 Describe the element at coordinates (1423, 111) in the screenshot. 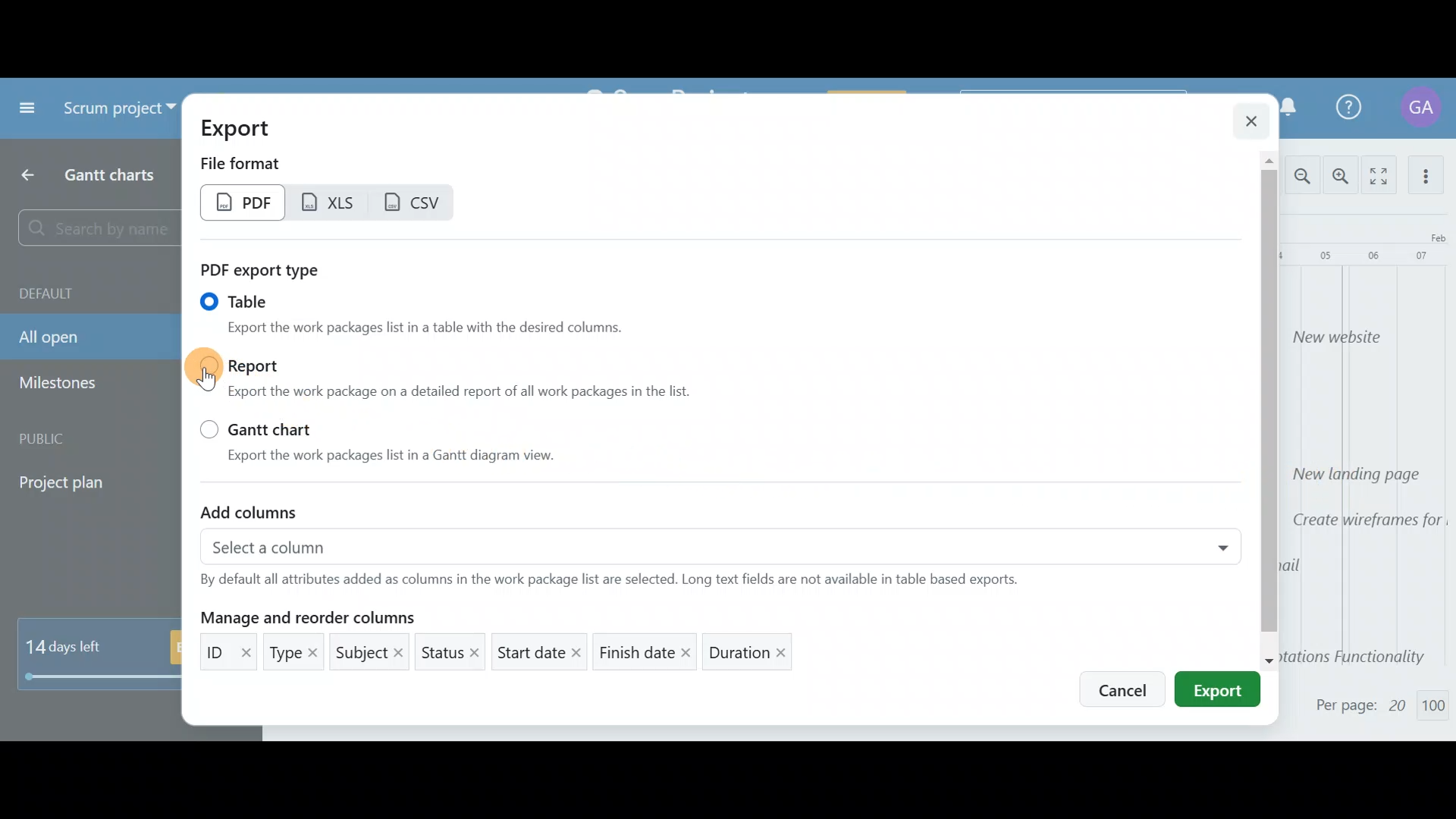

I see `Account name` at that location.